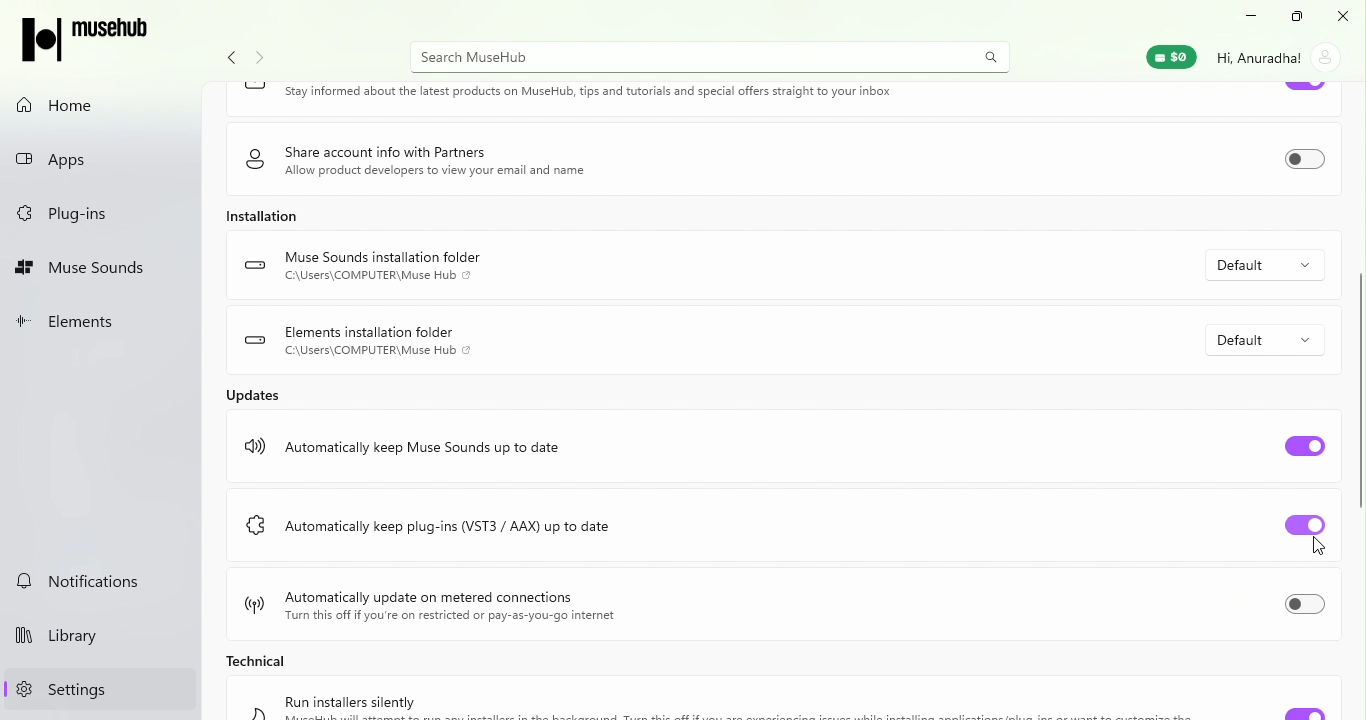 The image size is (1366, 720). I want to click on logo, so click(256, 341).